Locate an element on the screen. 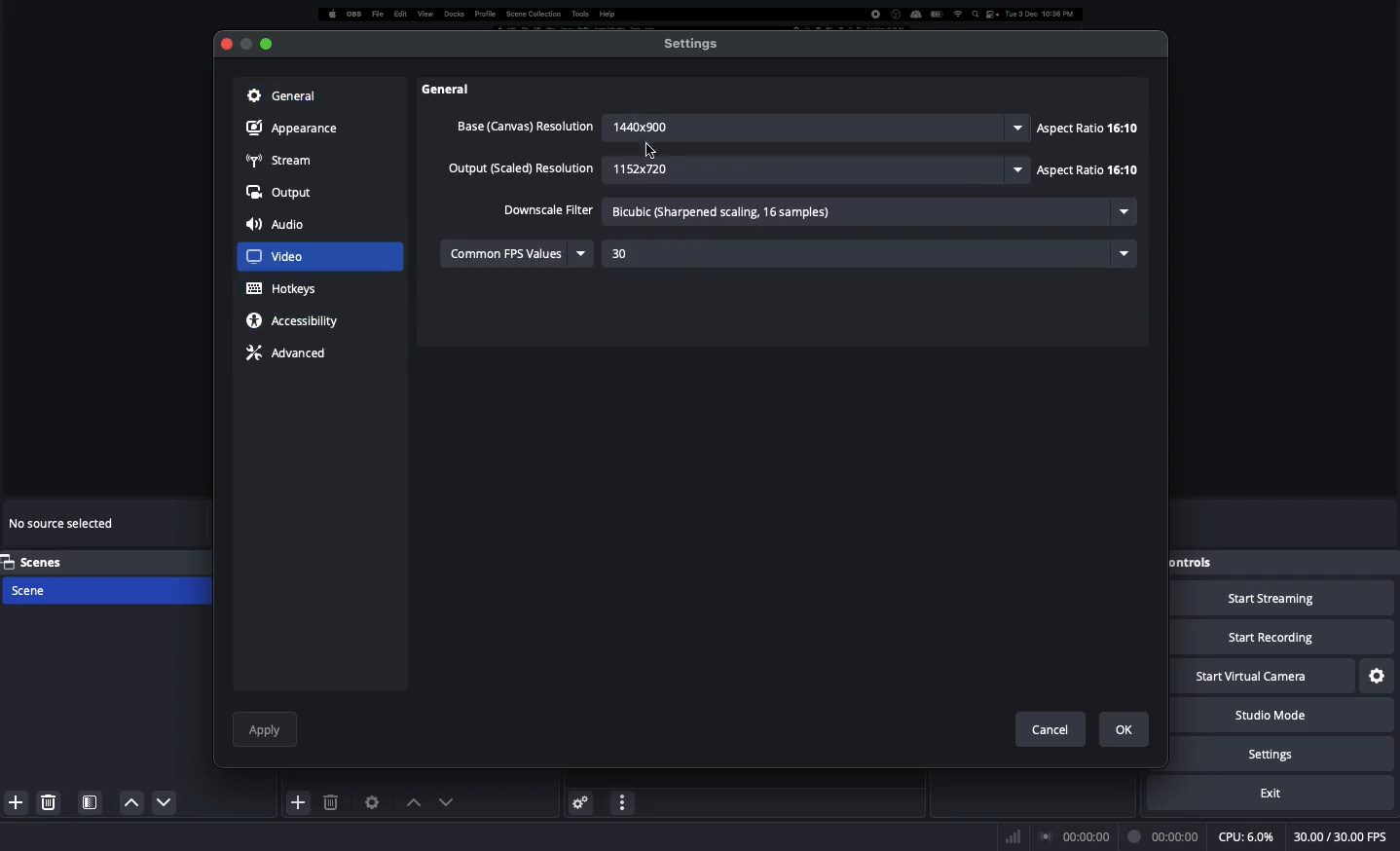  1440x900 is located at coordinates (816, 129).